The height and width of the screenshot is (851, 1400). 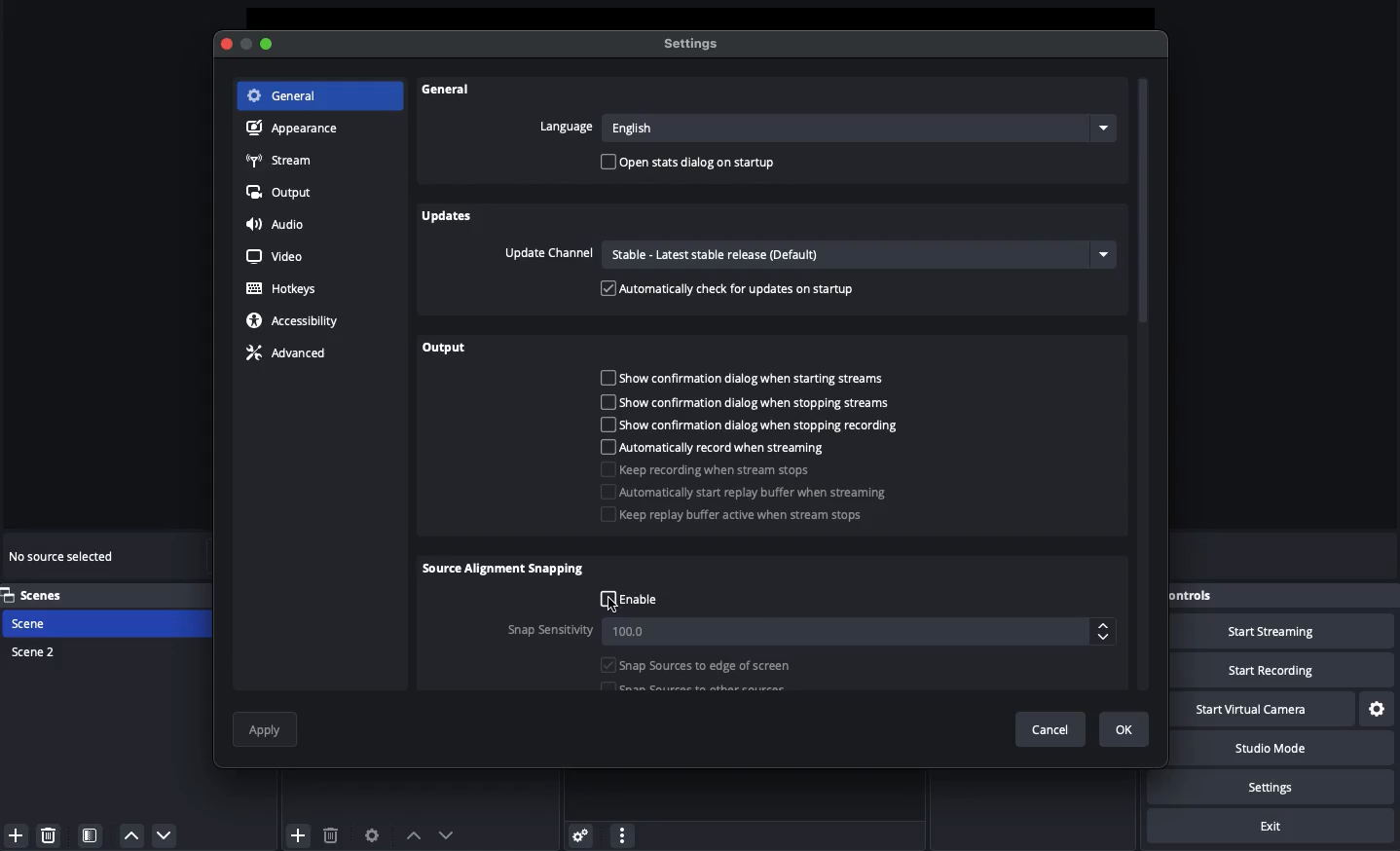 I want to click on Video, so click(x=277, y=255).